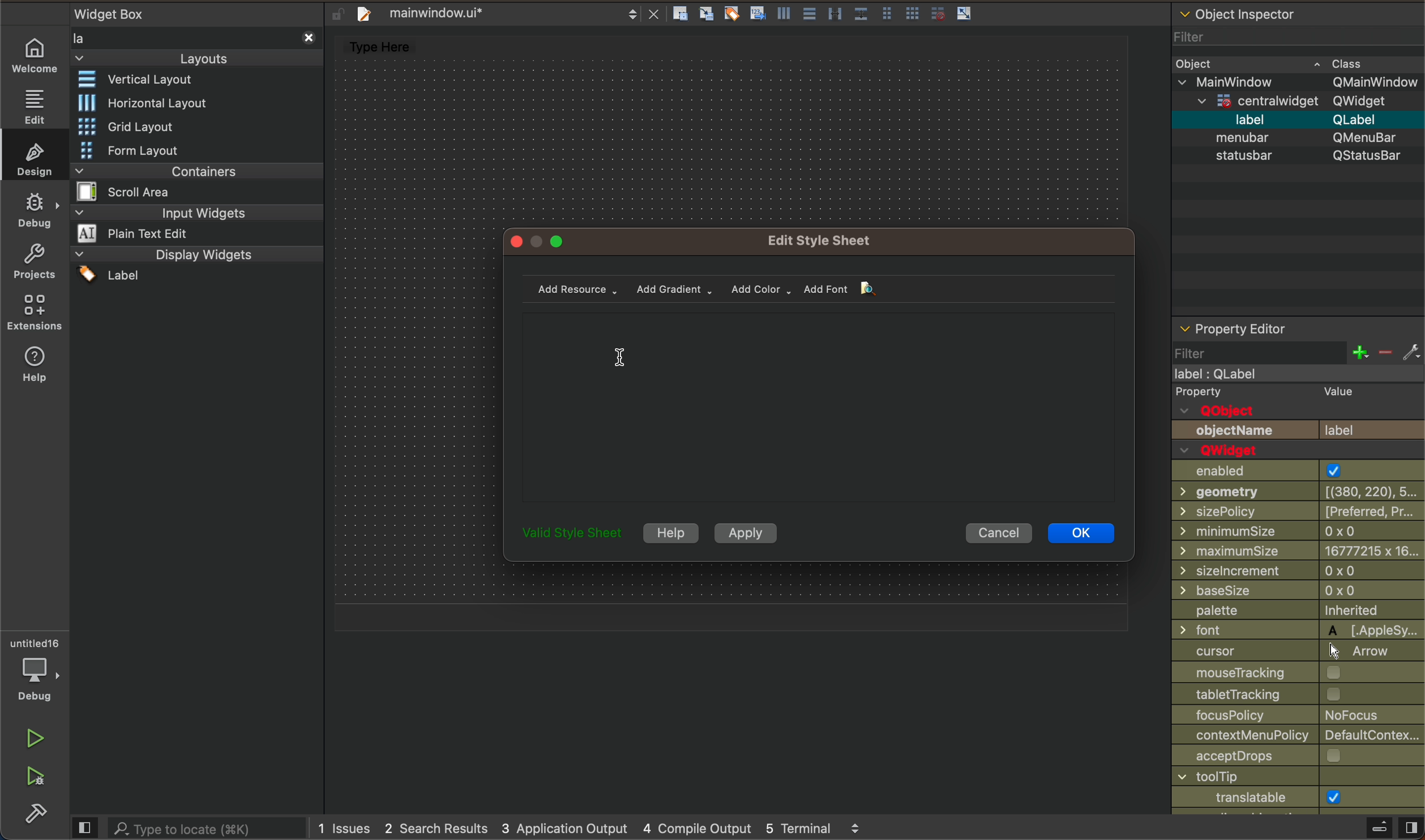  What do you see at coordinates (1298, 572) in the screenshot?
I see `size` at bounding box center [1298, 572].